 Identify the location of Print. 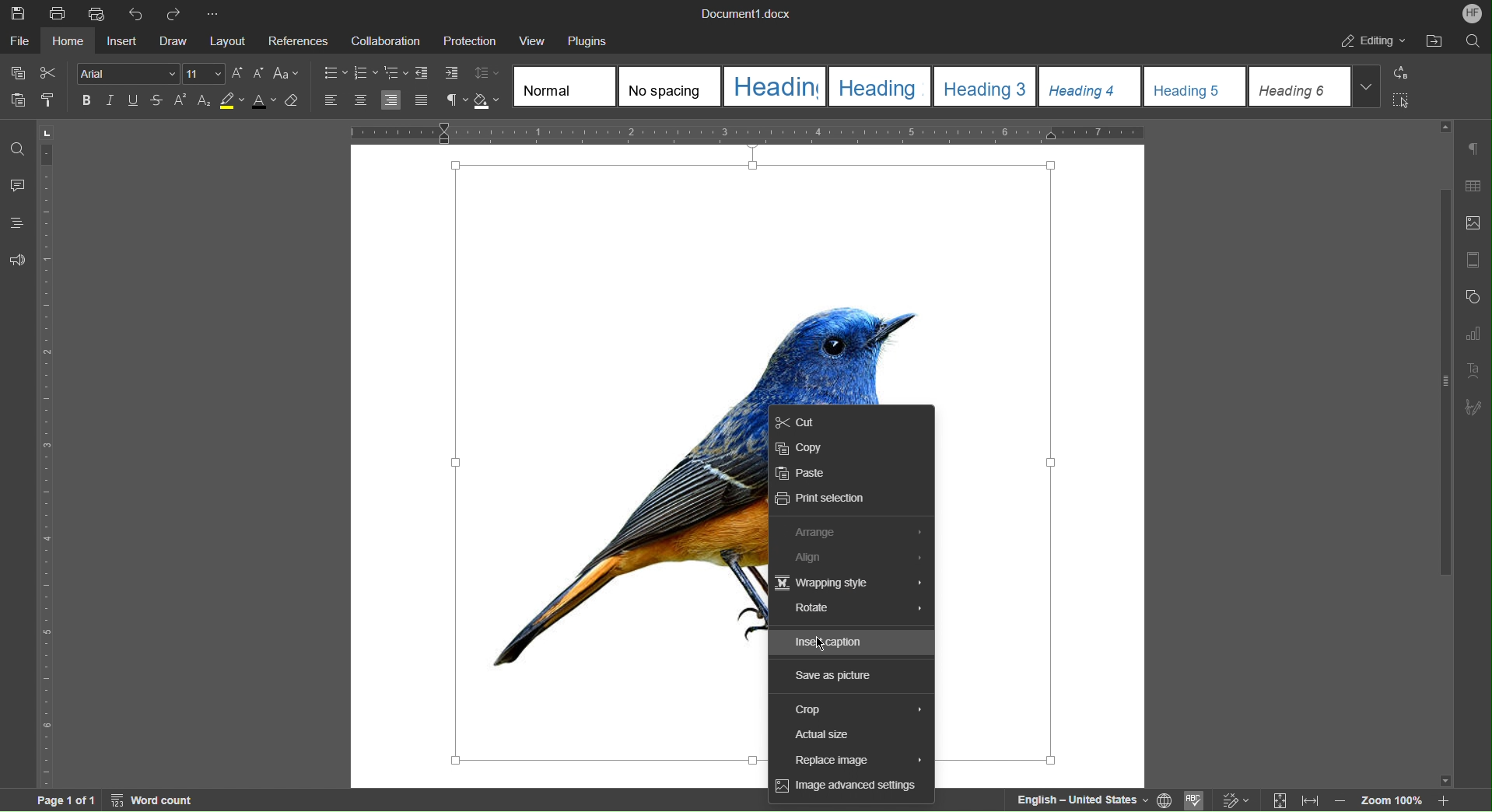
(58, 12).